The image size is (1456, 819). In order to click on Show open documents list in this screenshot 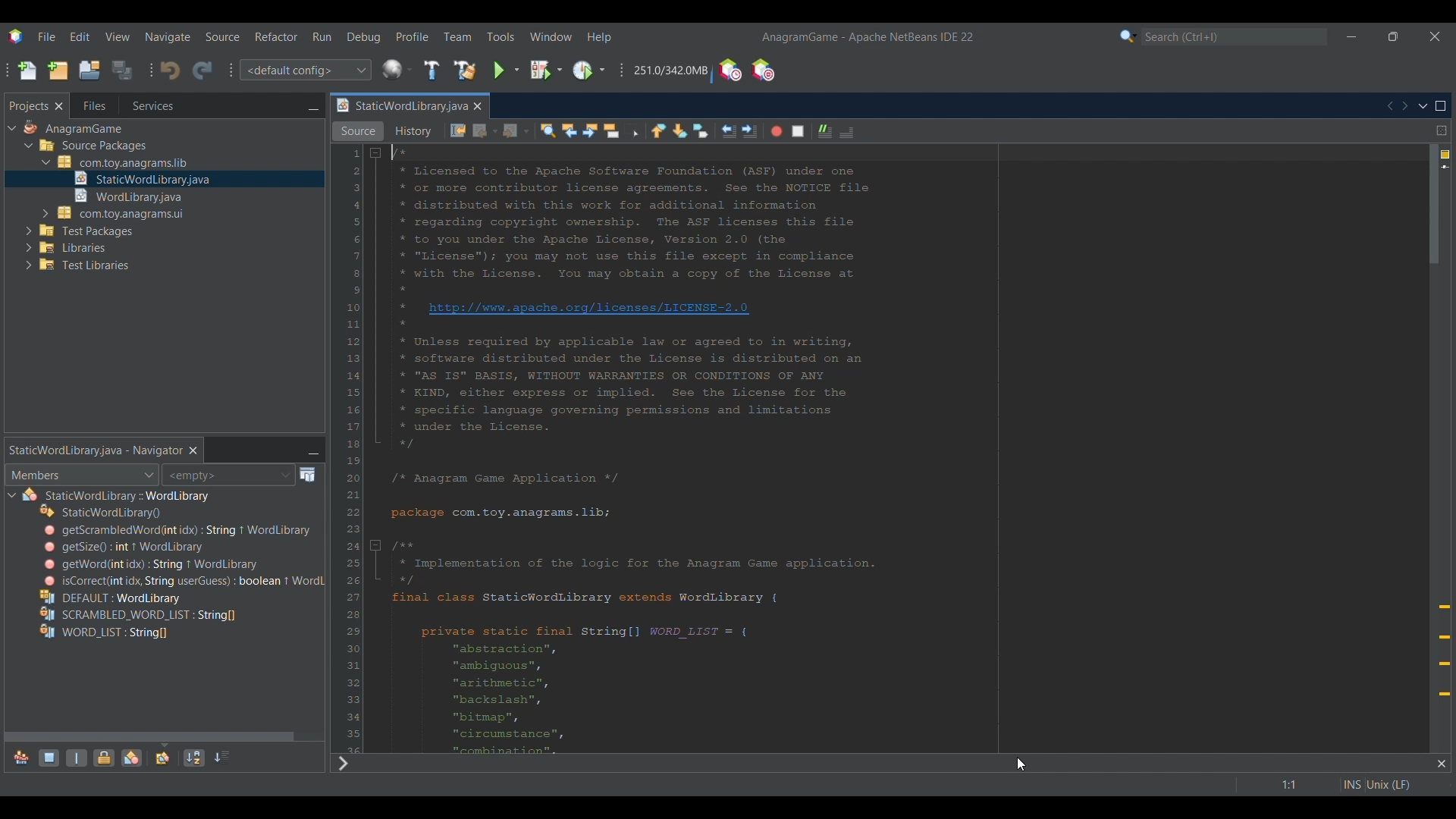, I will do `click(1423, 106)`.